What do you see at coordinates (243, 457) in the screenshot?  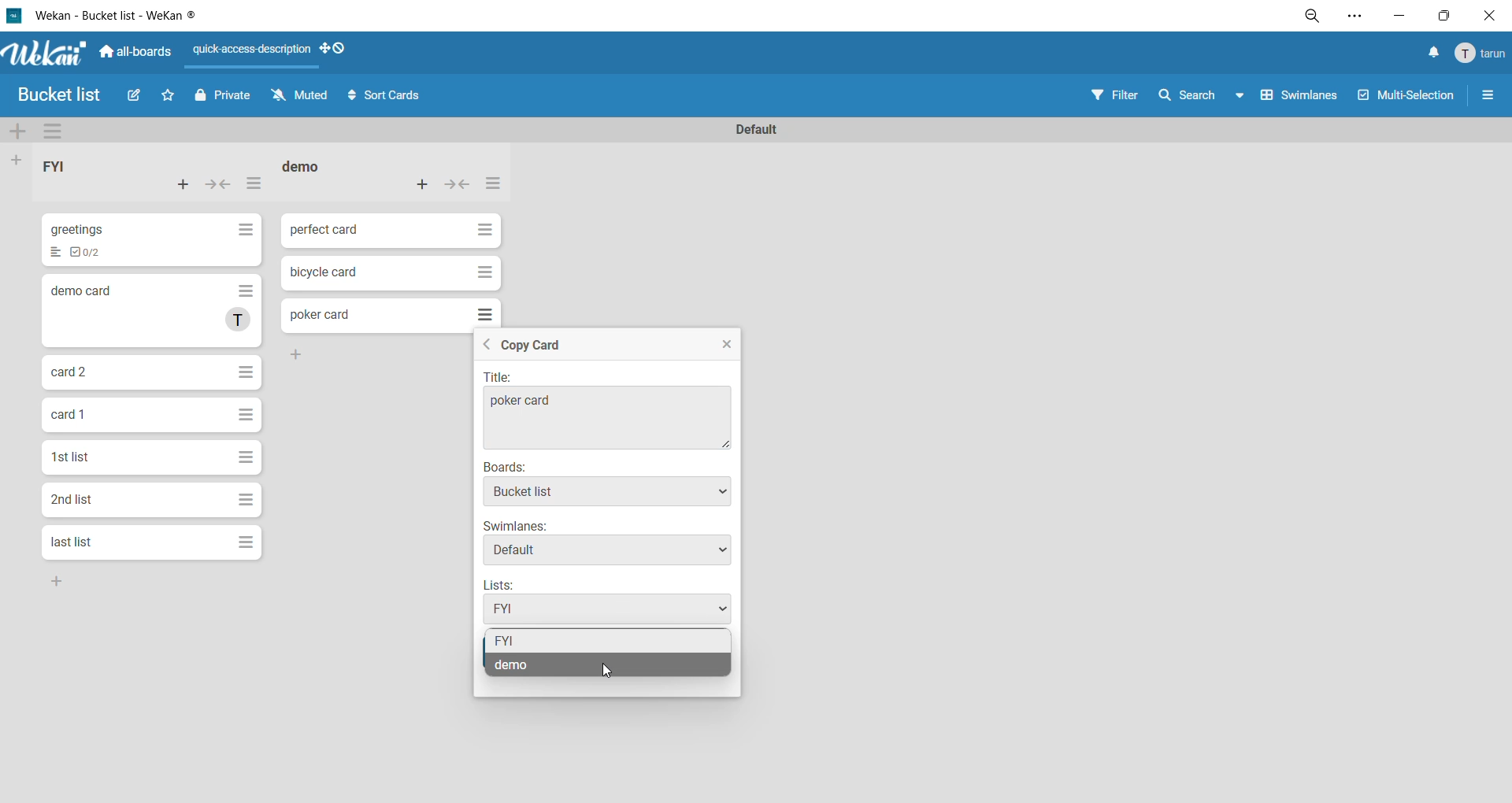 I see `Hamburger` at bounding box center [243, 457].